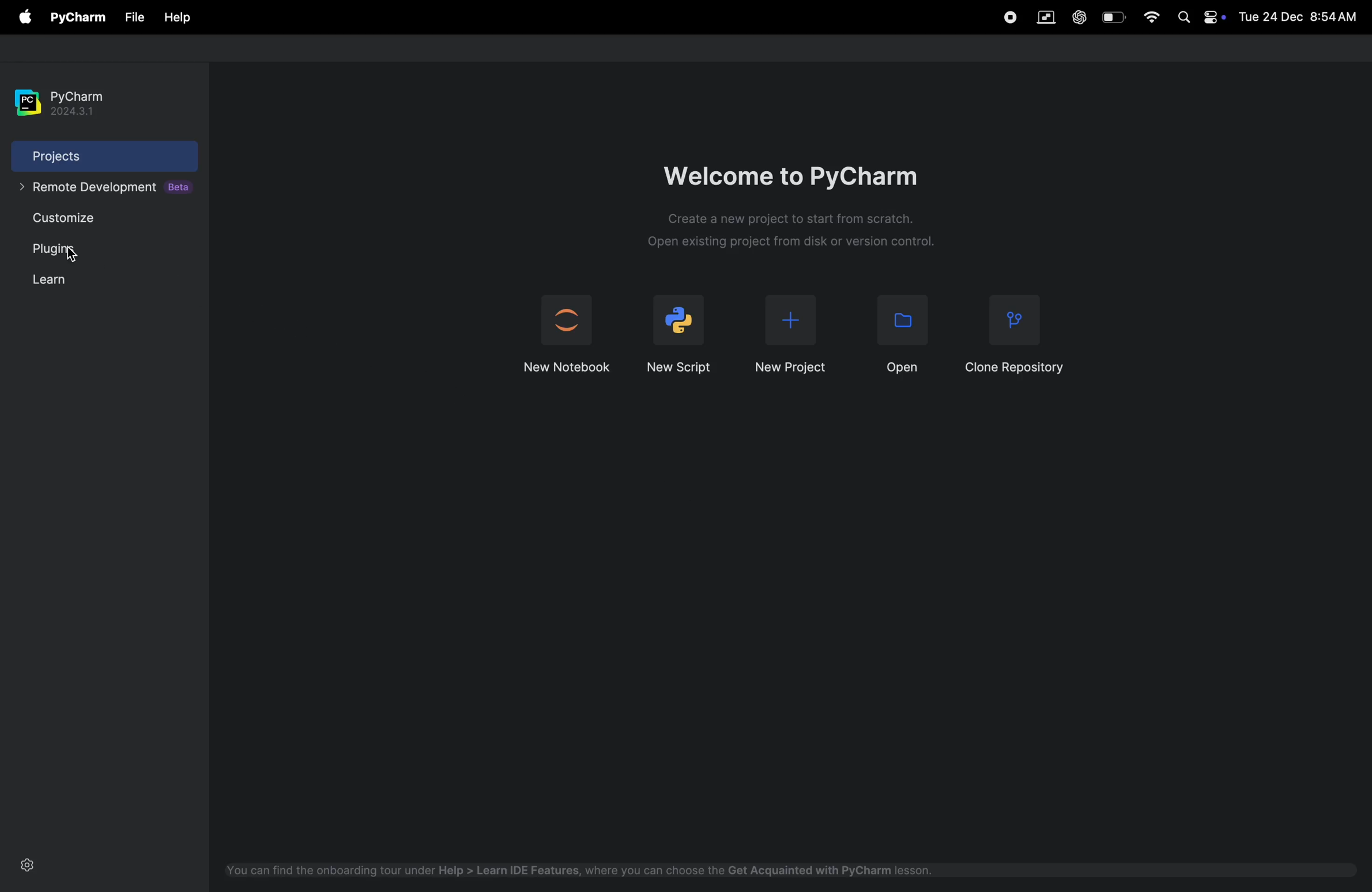 Image resolution: width=1372 pixels, height=892 pixels. Describe the element at coordinates (76, 18) in the screenshot. I see `pycharm` at that location.